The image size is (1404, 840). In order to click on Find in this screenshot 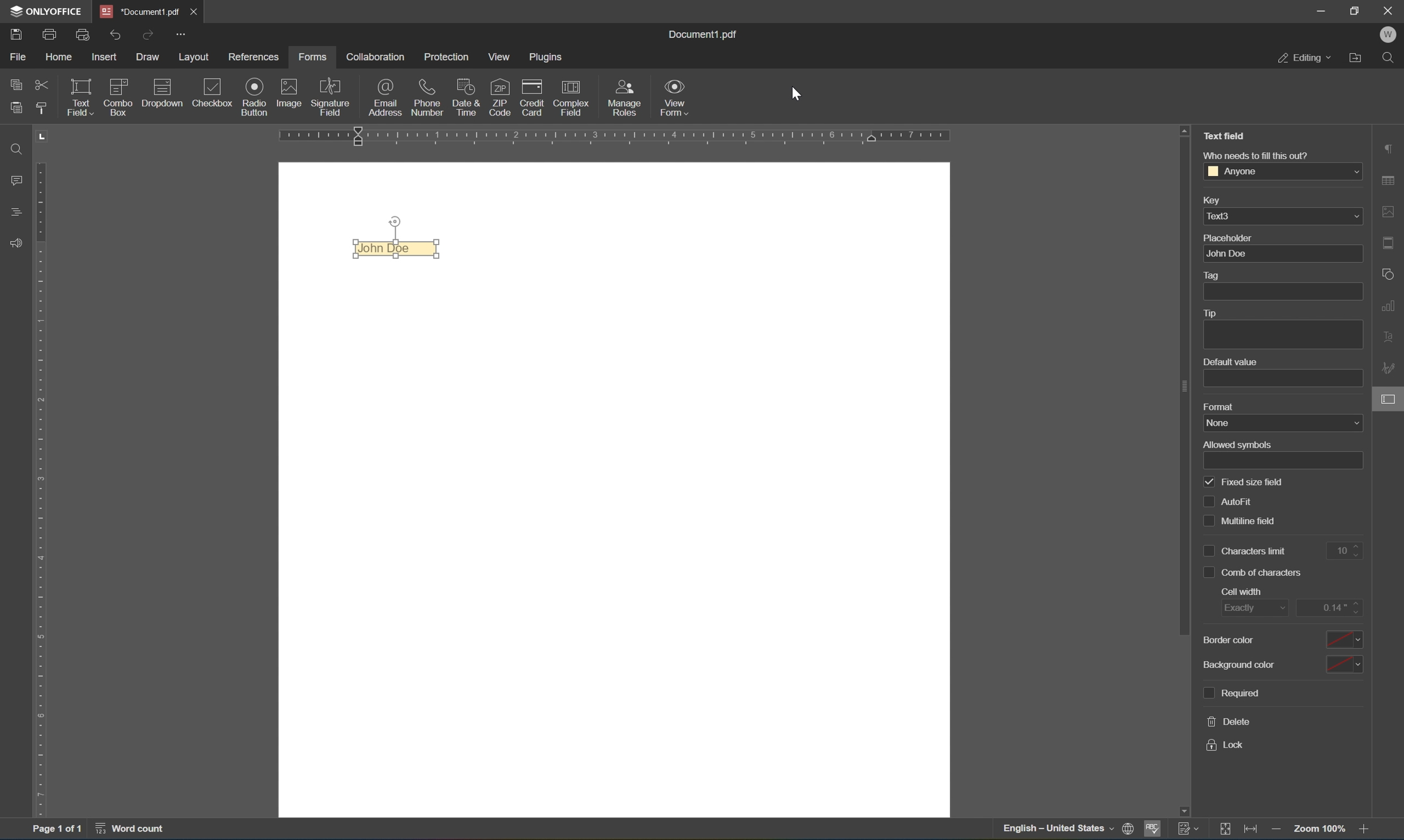, I will do `click(1393, 58)`.